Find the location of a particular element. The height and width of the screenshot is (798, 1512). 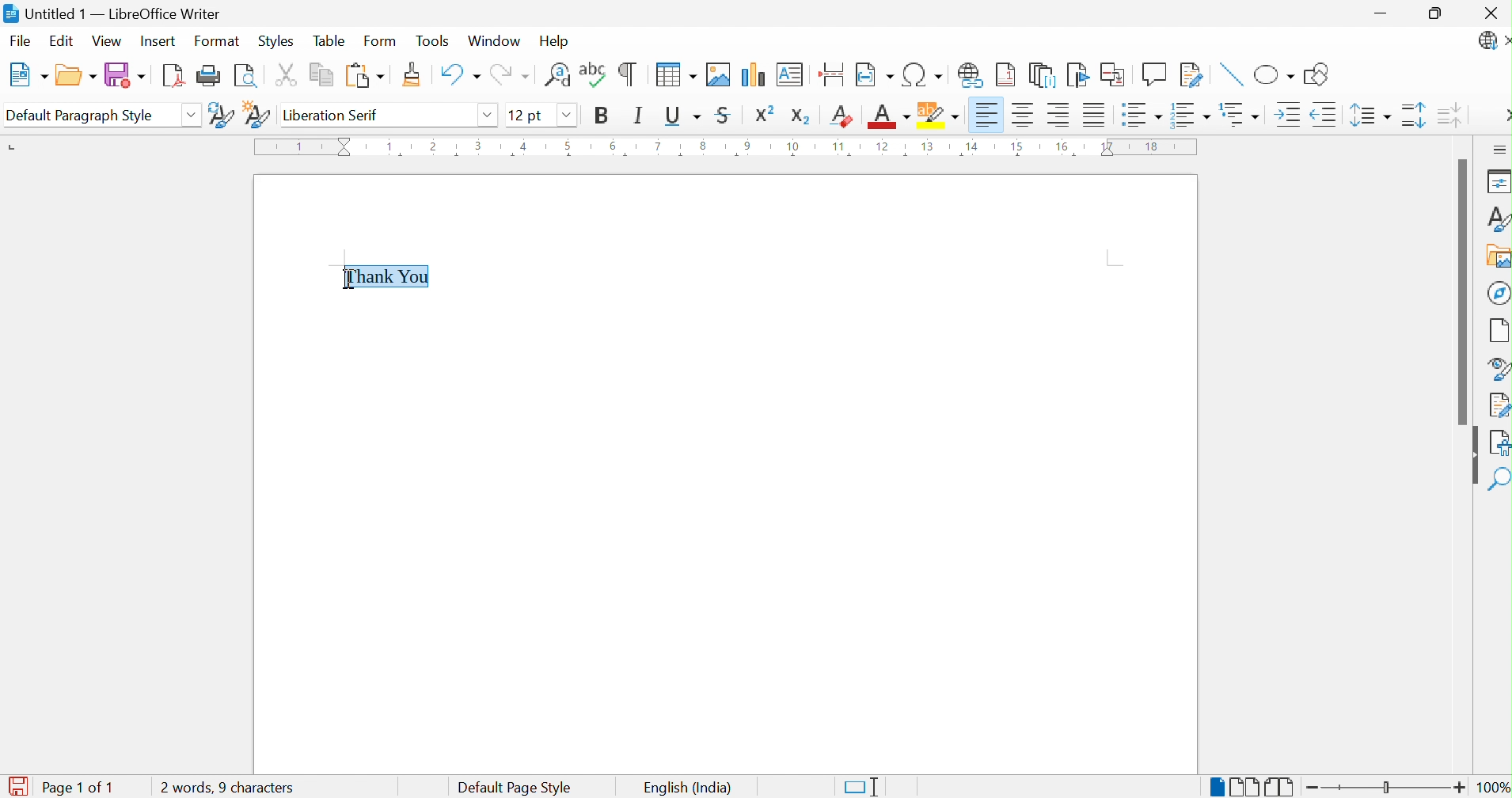

More is located at coordinates (1503, 116).